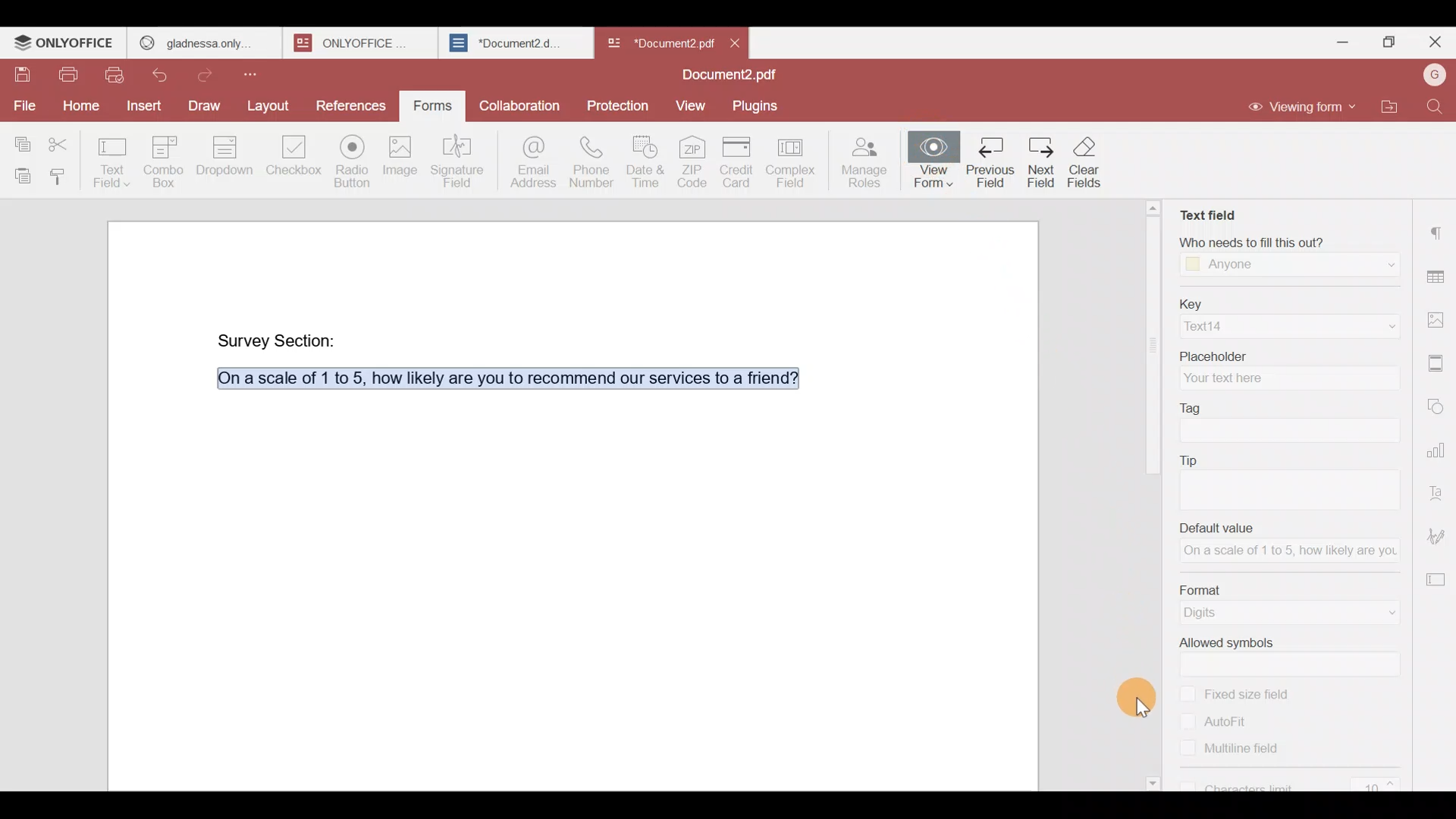  Describe the element at coordinates (1284, 301) in the screenshot. I see `Key` at that location.